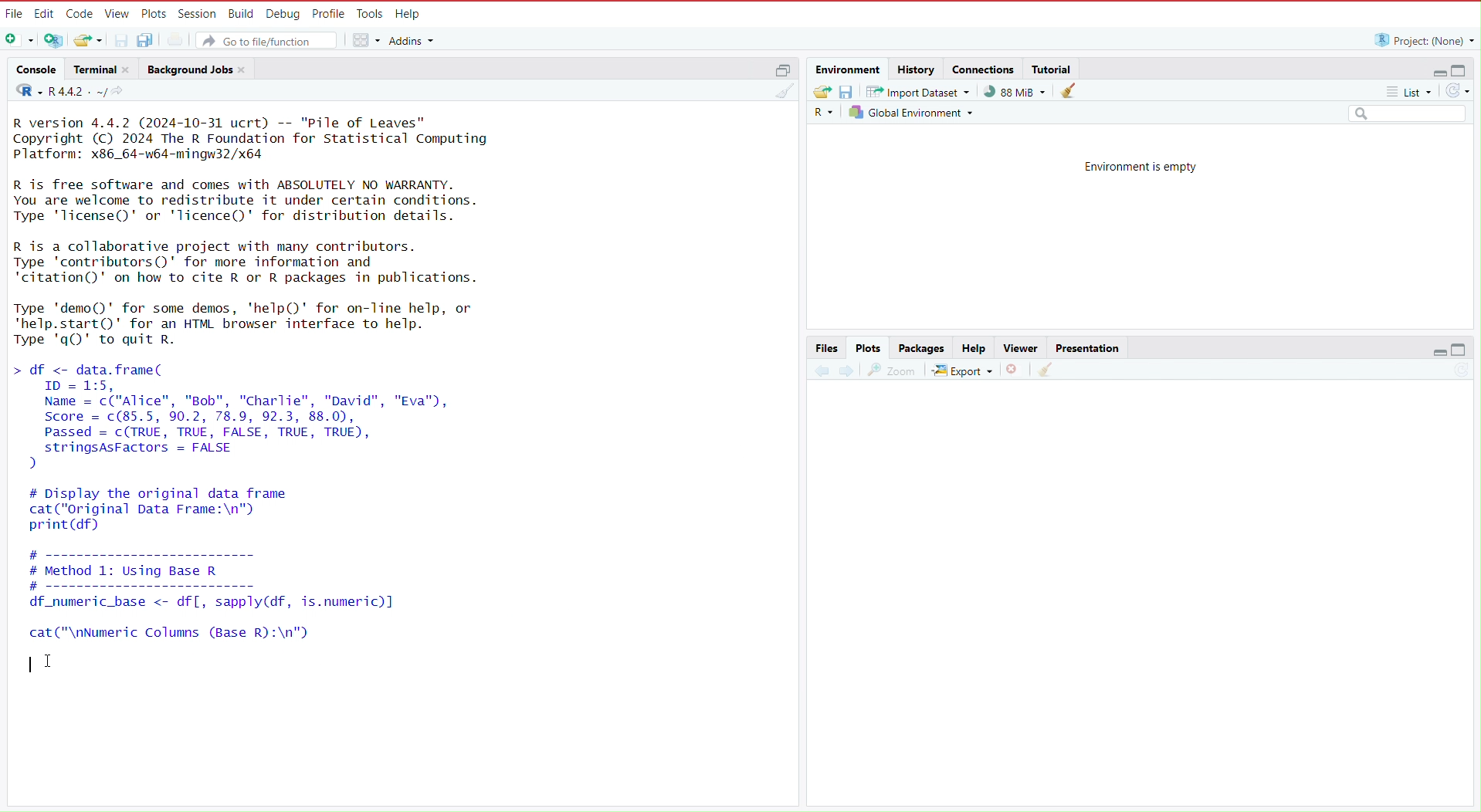 This screenshot has width=1481, height=812. Describe the element at coordinates (250, 201) in the screenshot. I see `R is free software and comes with ABSOLUTELY NO WARRANTY.
You are welcome to redistribute it under certain conditions.
Type 'licenseQ' or 'lTicence()' for distribution details.` at that location.